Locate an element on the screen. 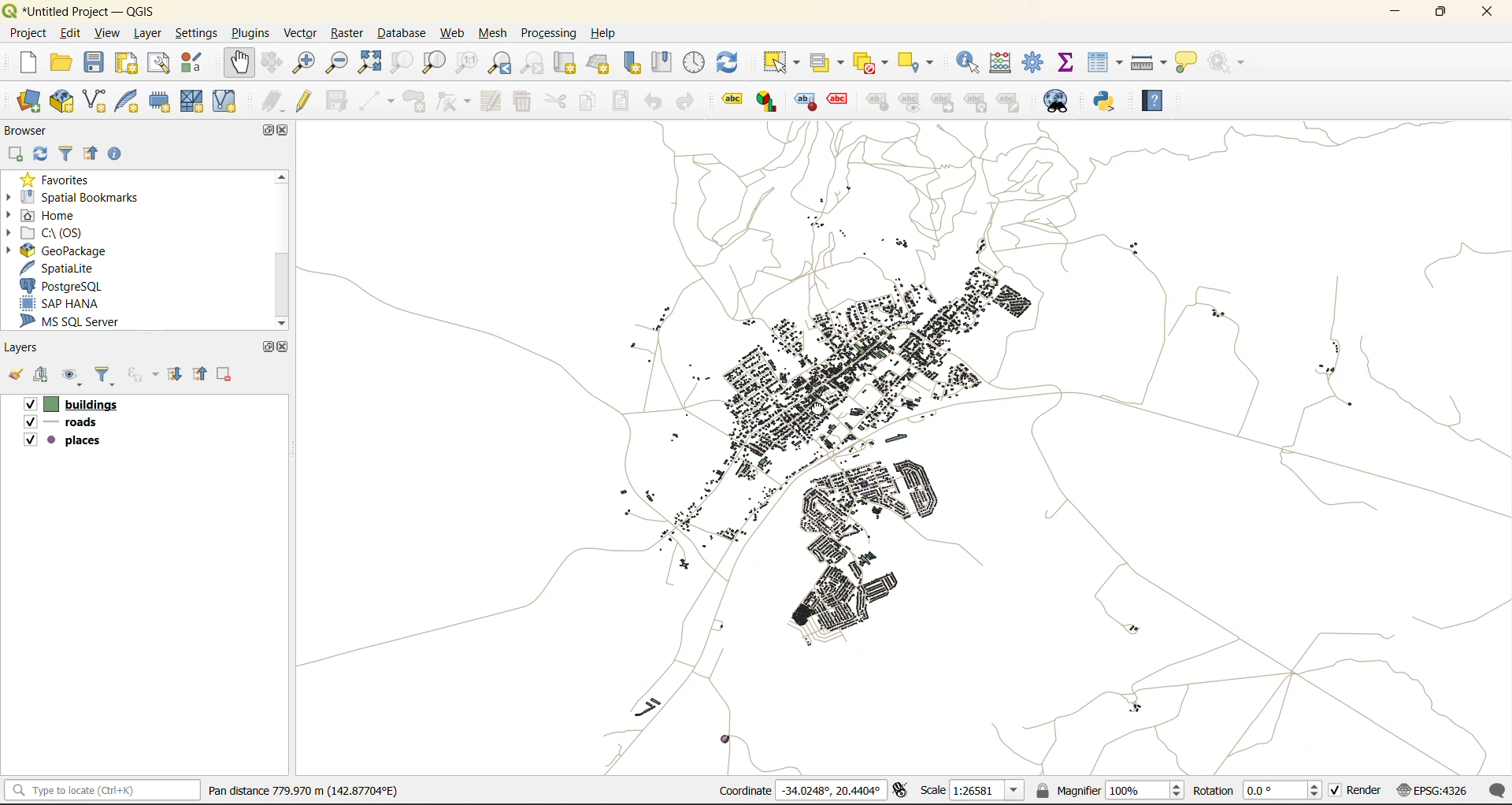 The height and width of the screenshot is (805, 1512). new virtual layer is located at coordinates (228, 99).